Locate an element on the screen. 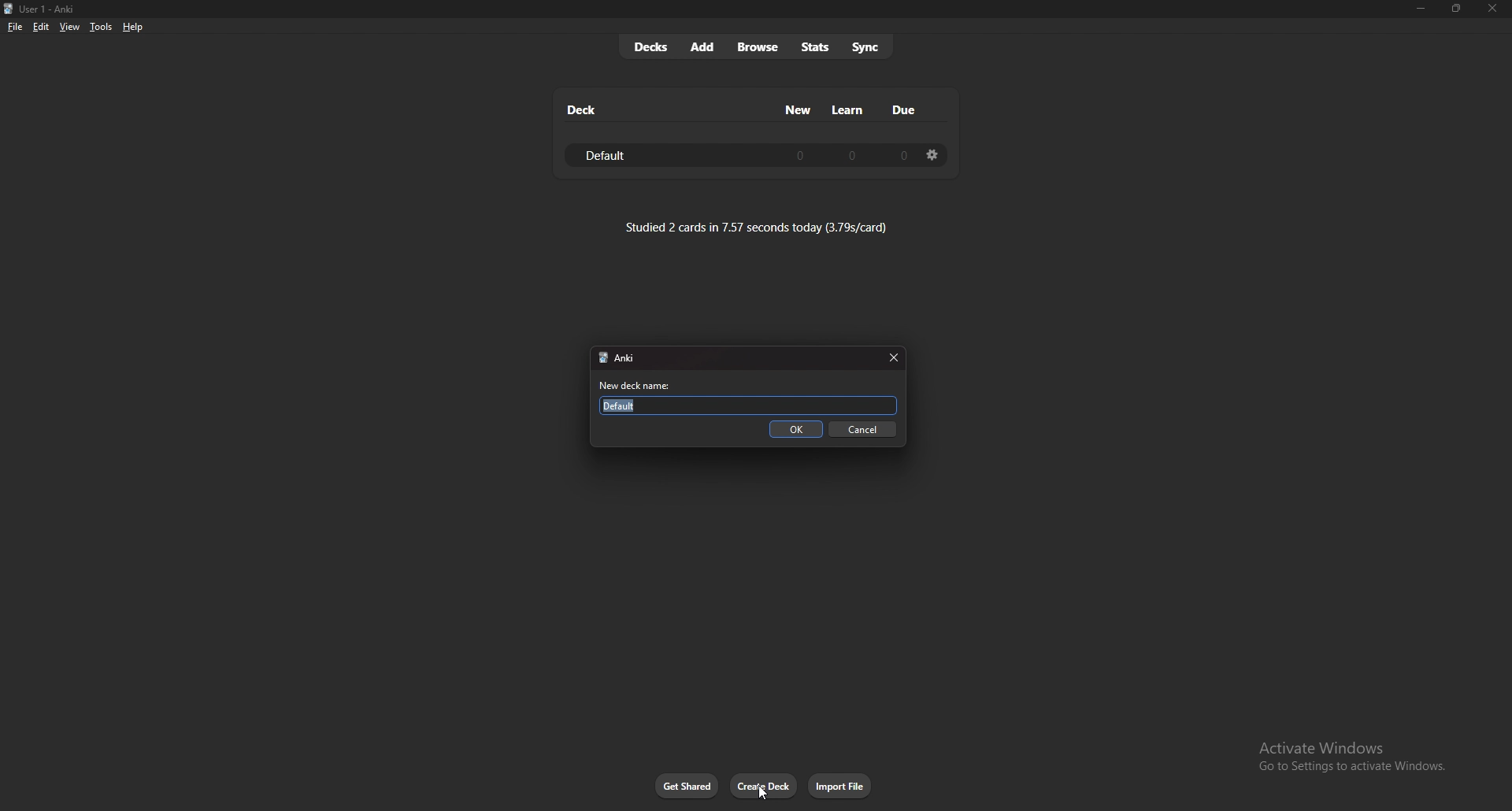  close is located at coordinates (892, 358).